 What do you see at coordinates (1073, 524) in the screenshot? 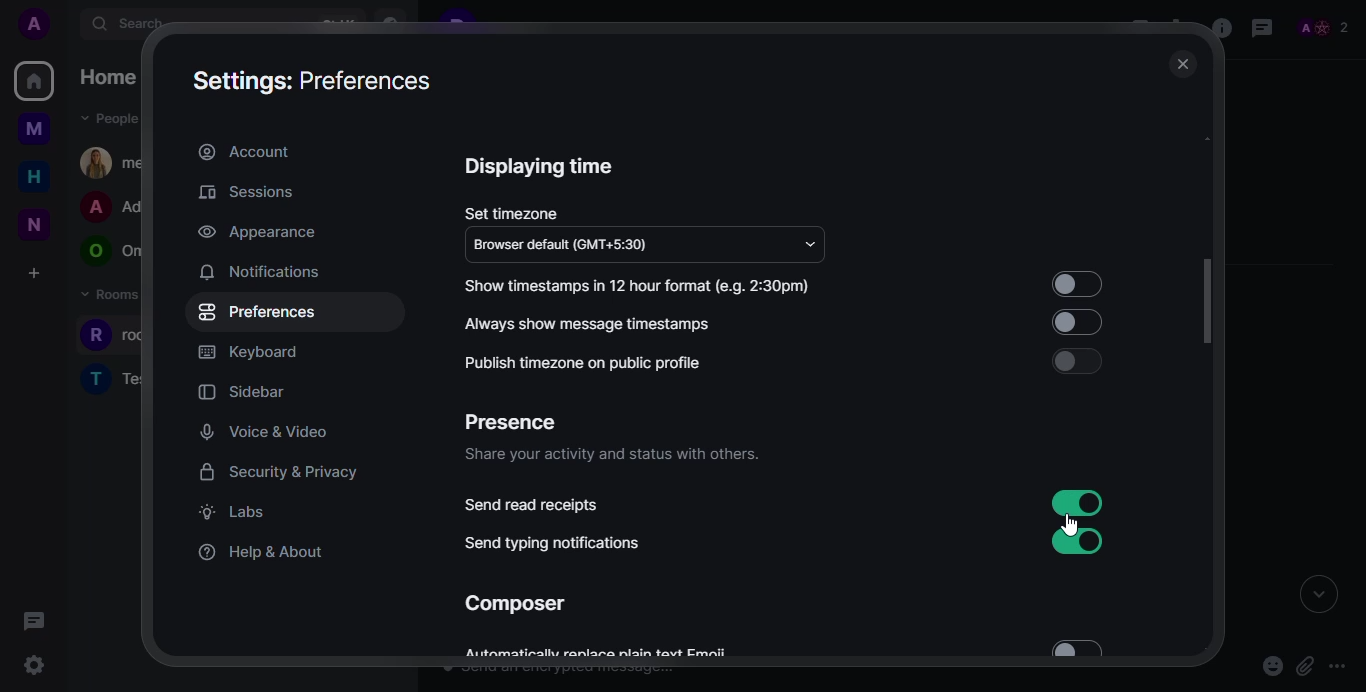
I see `cursor` at bounding box center [1073, 524].